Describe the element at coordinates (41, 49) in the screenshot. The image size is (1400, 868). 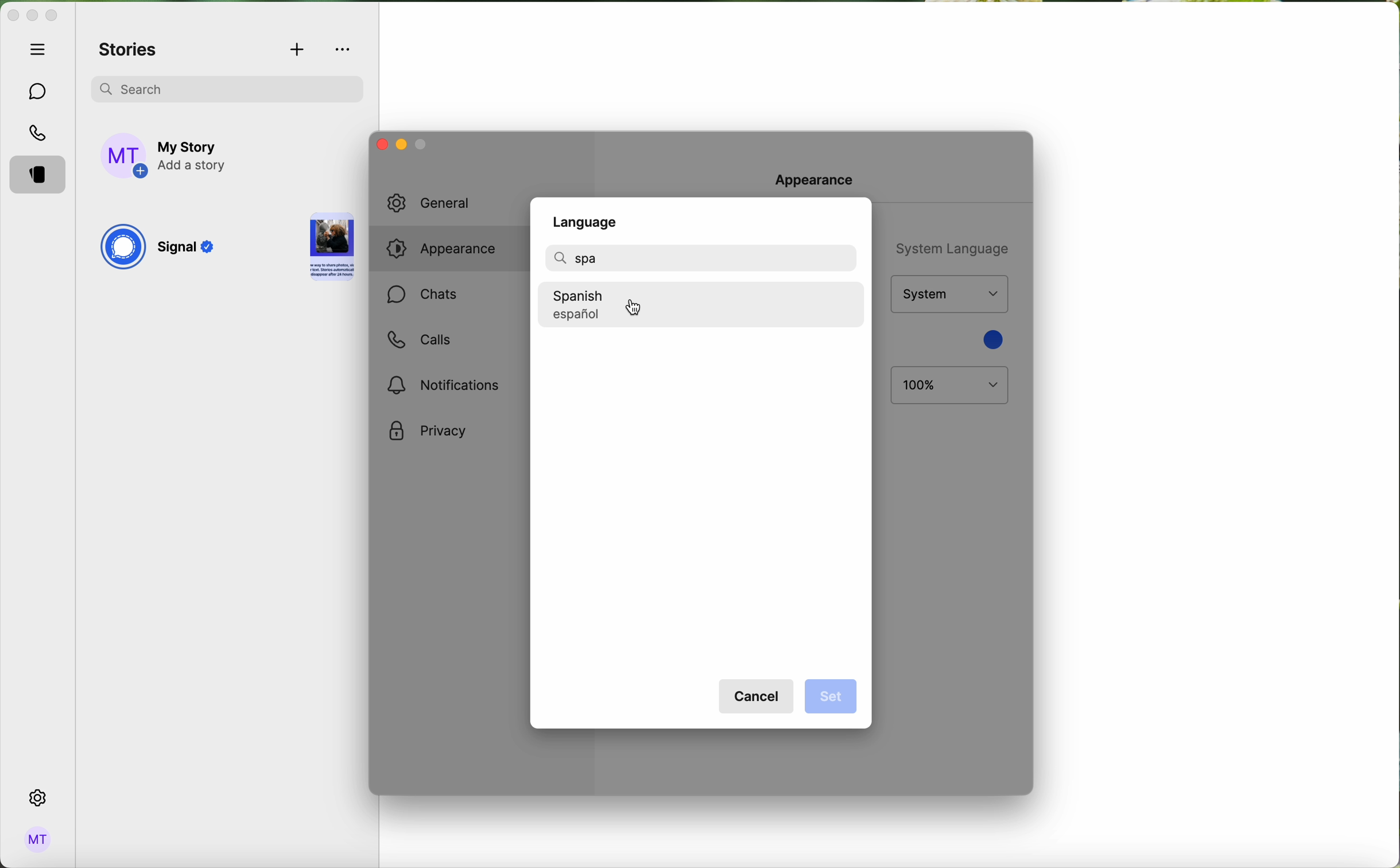
I see `hide tabs` at that location.